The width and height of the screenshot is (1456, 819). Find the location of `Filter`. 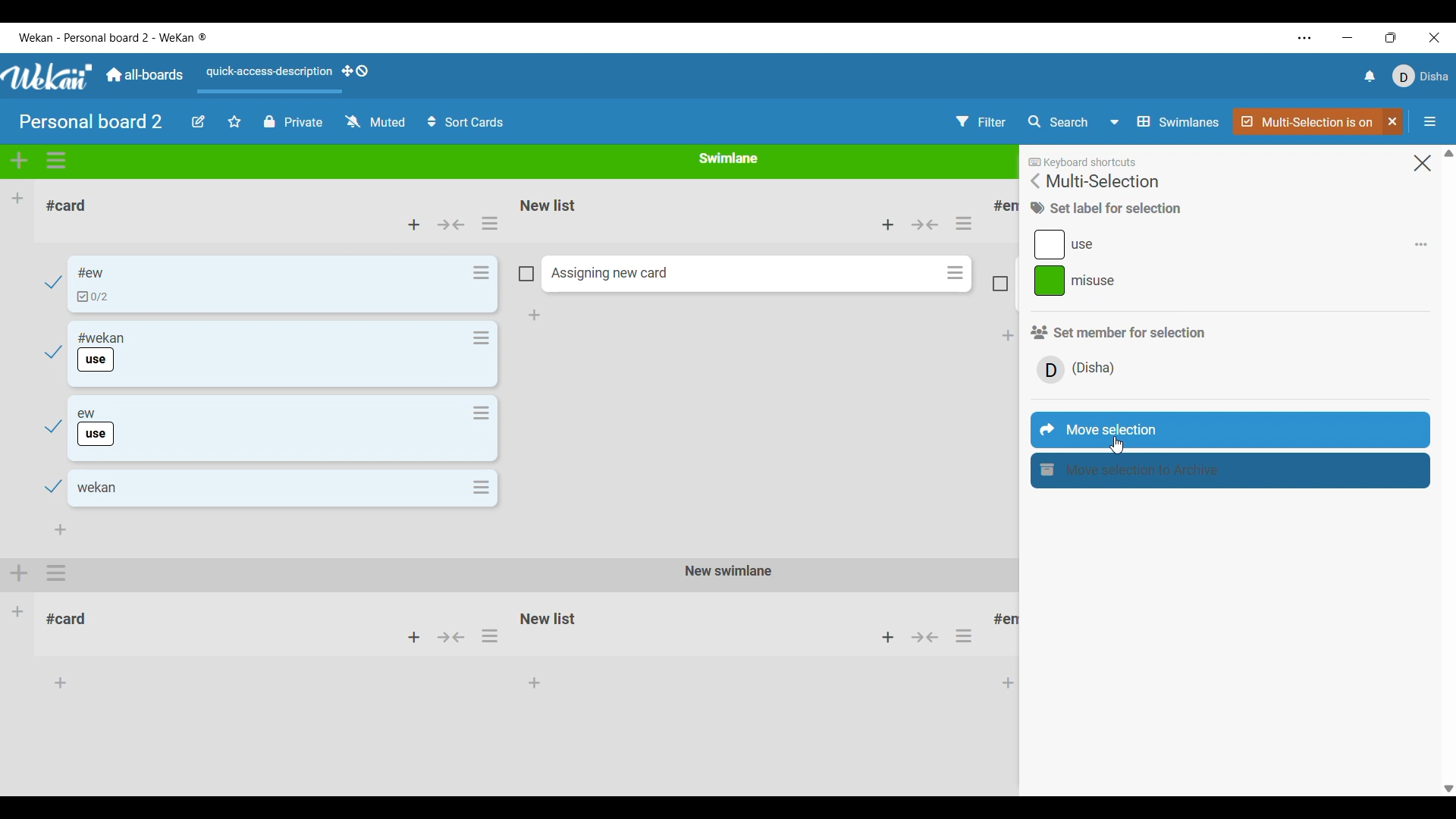

Filter is located at coordinates (987, 121).